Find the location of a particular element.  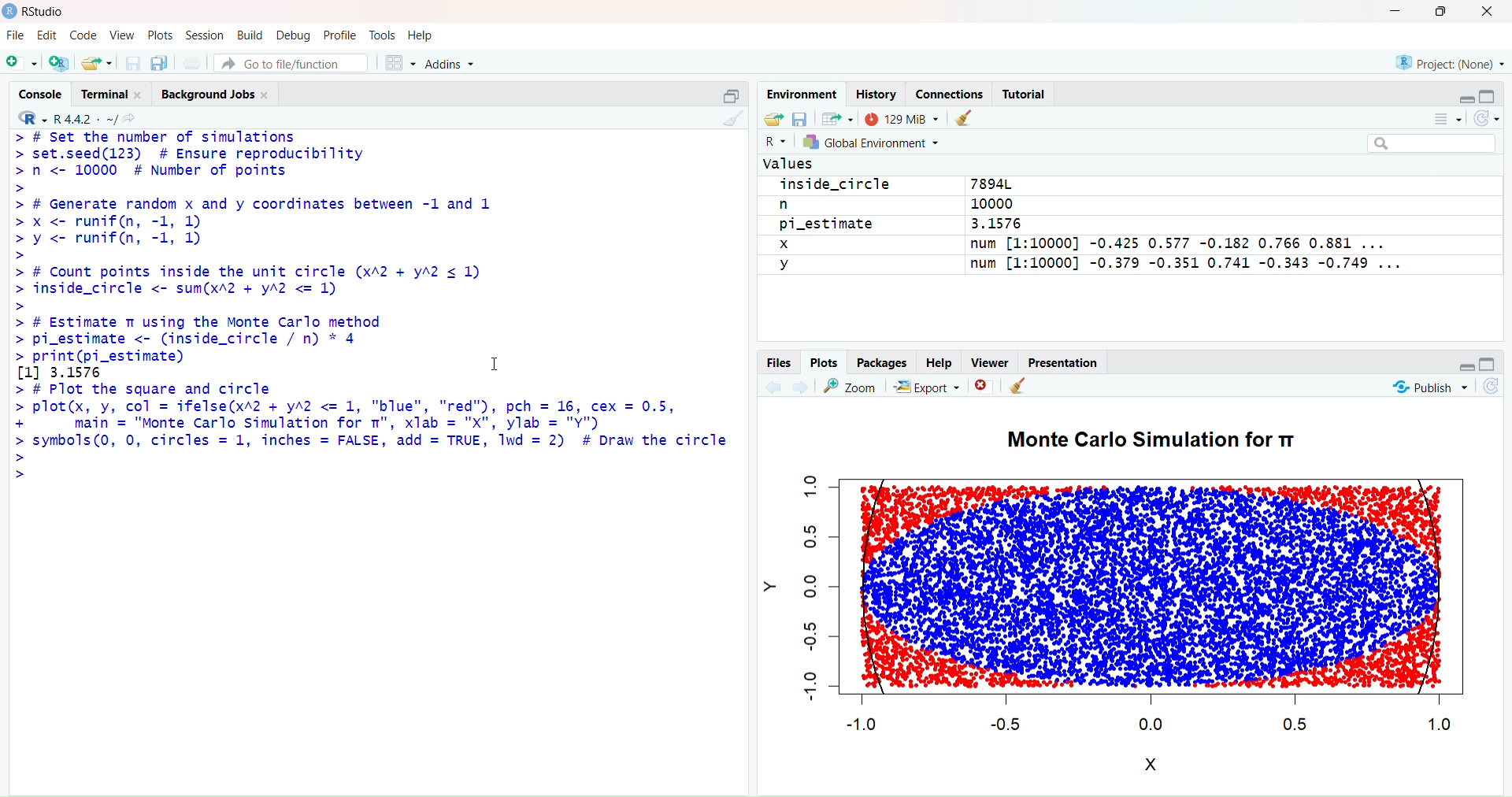

Publish is located at coordinates (1429, 389).